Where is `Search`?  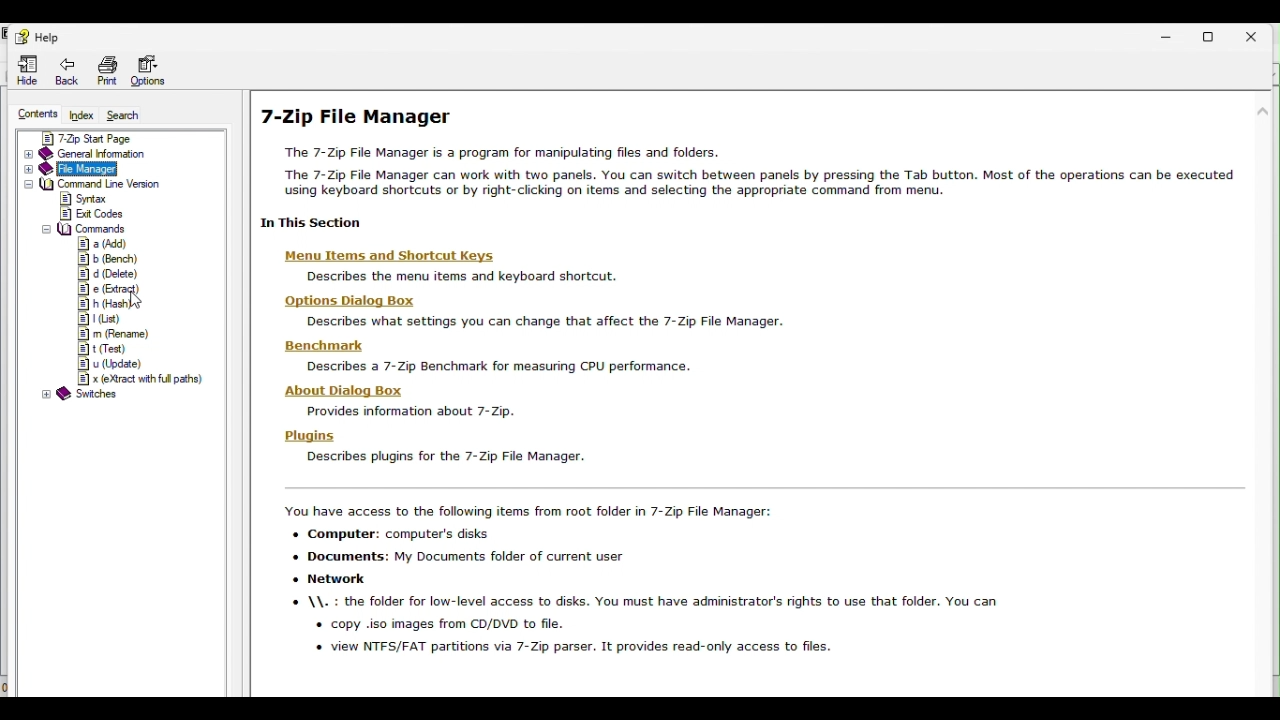
Search is located at coordinates (120, 114).